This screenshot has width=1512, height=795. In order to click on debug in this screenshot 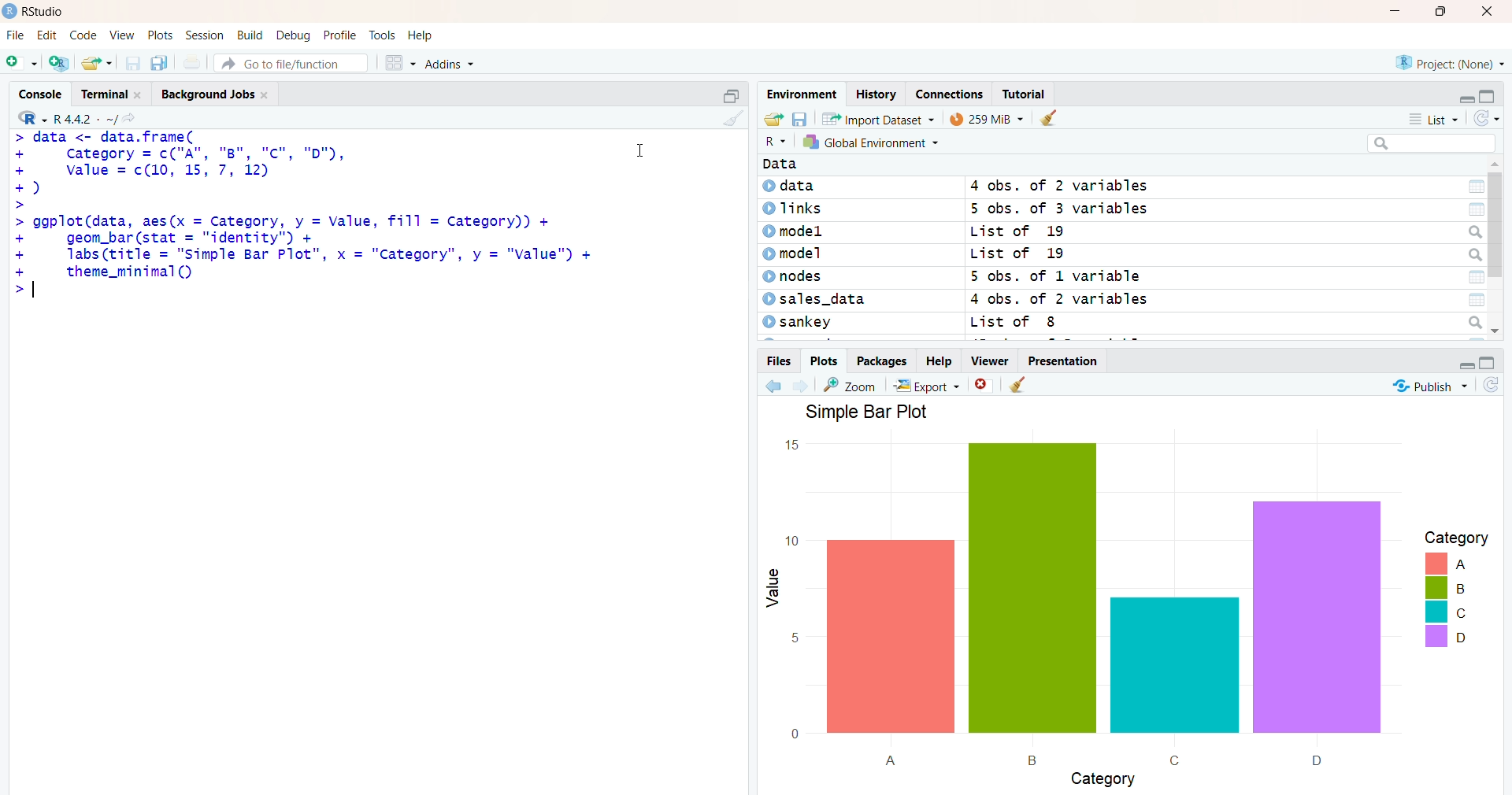, I will do `click(294, 35)`.